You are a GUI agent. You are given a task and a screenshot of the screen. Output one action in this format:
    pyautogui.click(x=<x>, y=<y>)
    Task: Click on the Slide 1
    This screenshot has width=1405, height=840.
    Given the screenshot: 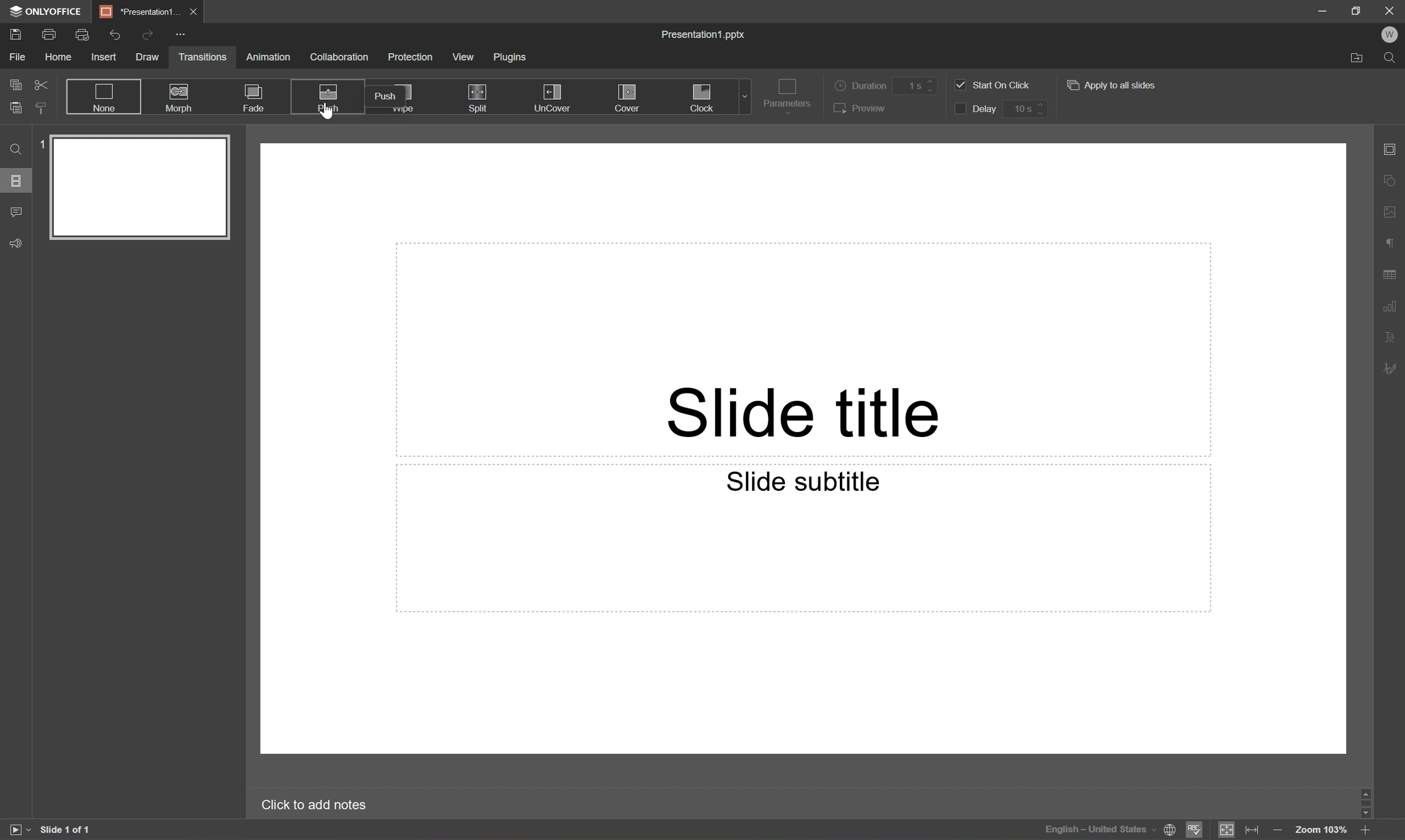 What is the action you would take?
    pyautogui.click(x=134, y=187)
    